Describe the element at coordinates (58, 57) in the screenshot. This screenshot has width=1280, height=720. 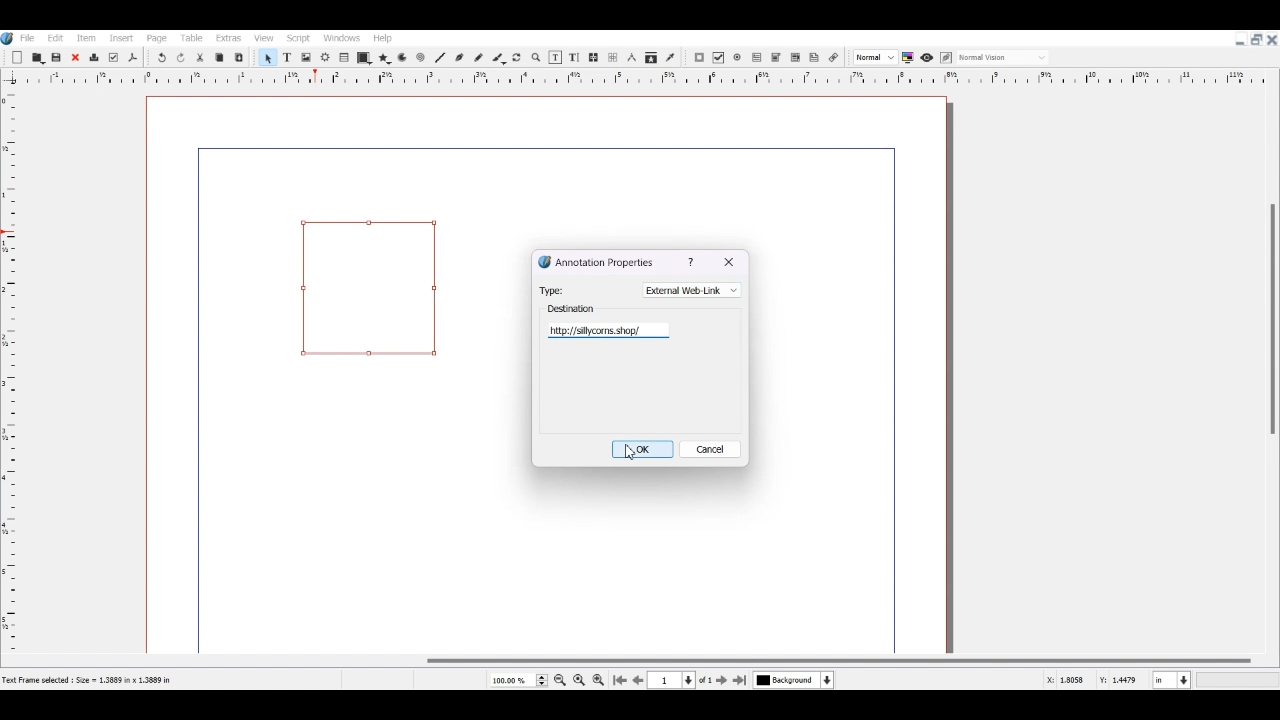
I see `Save` at that location.